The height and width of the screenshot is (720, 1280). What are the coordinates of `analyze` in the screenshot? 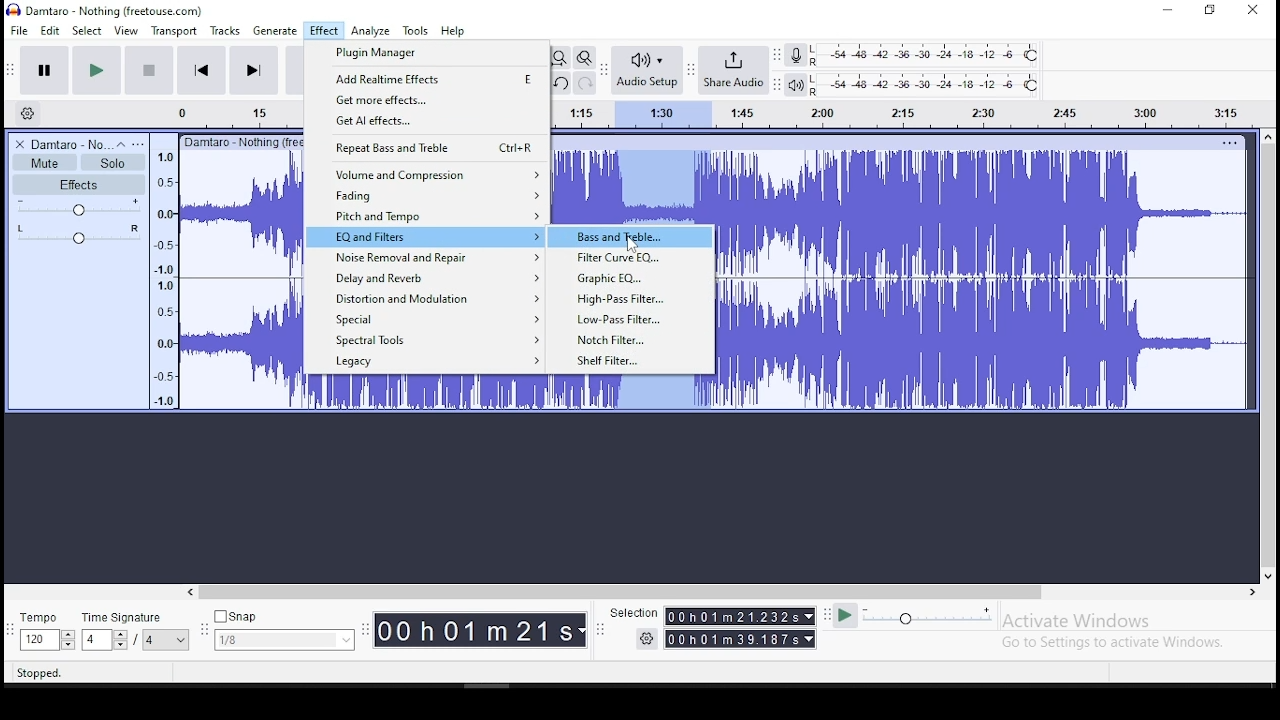 It's located at (371, 31).